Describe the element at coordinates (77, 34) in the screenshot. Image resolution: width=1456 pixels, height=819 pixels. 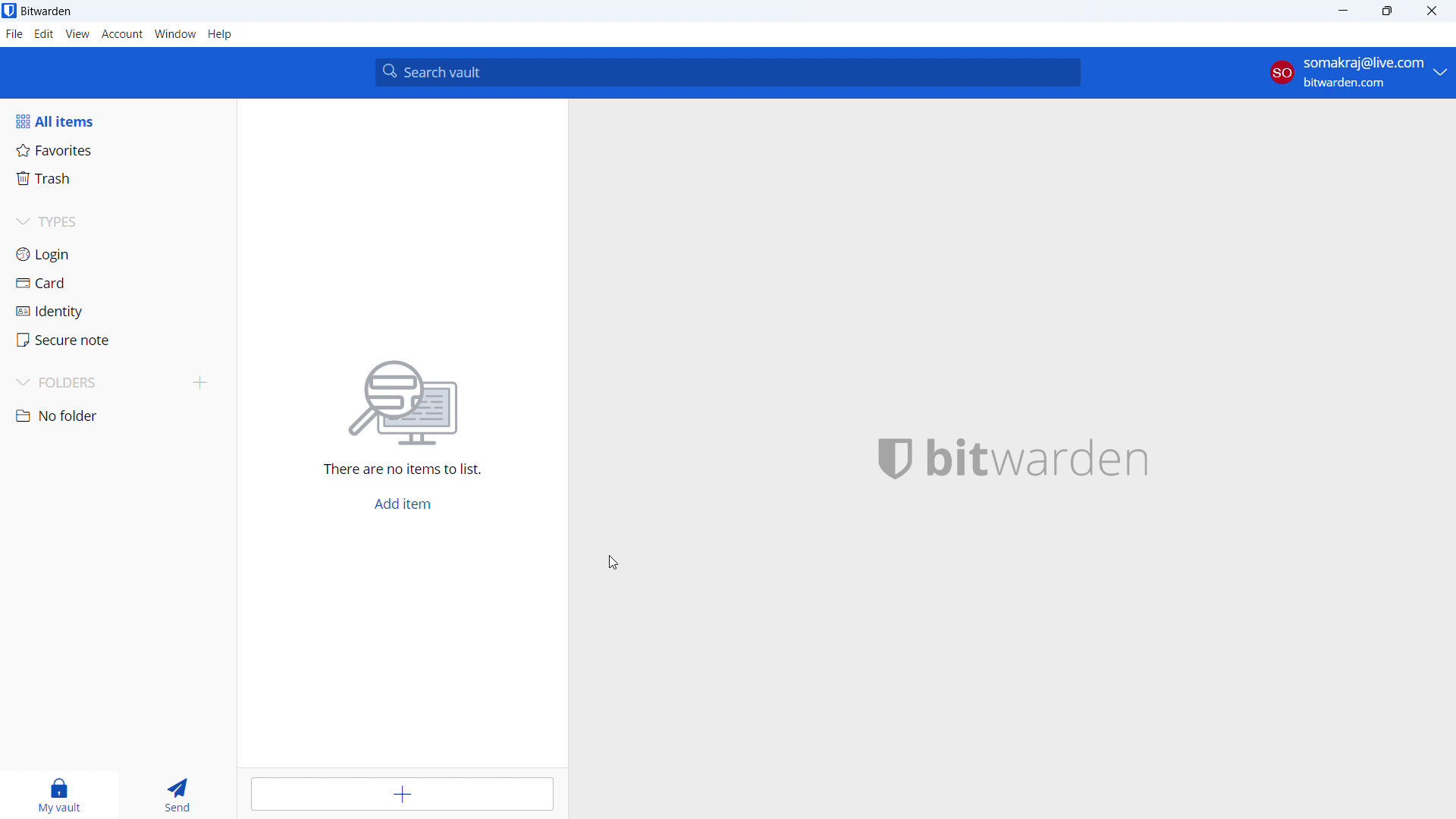
I see `view` at that location.